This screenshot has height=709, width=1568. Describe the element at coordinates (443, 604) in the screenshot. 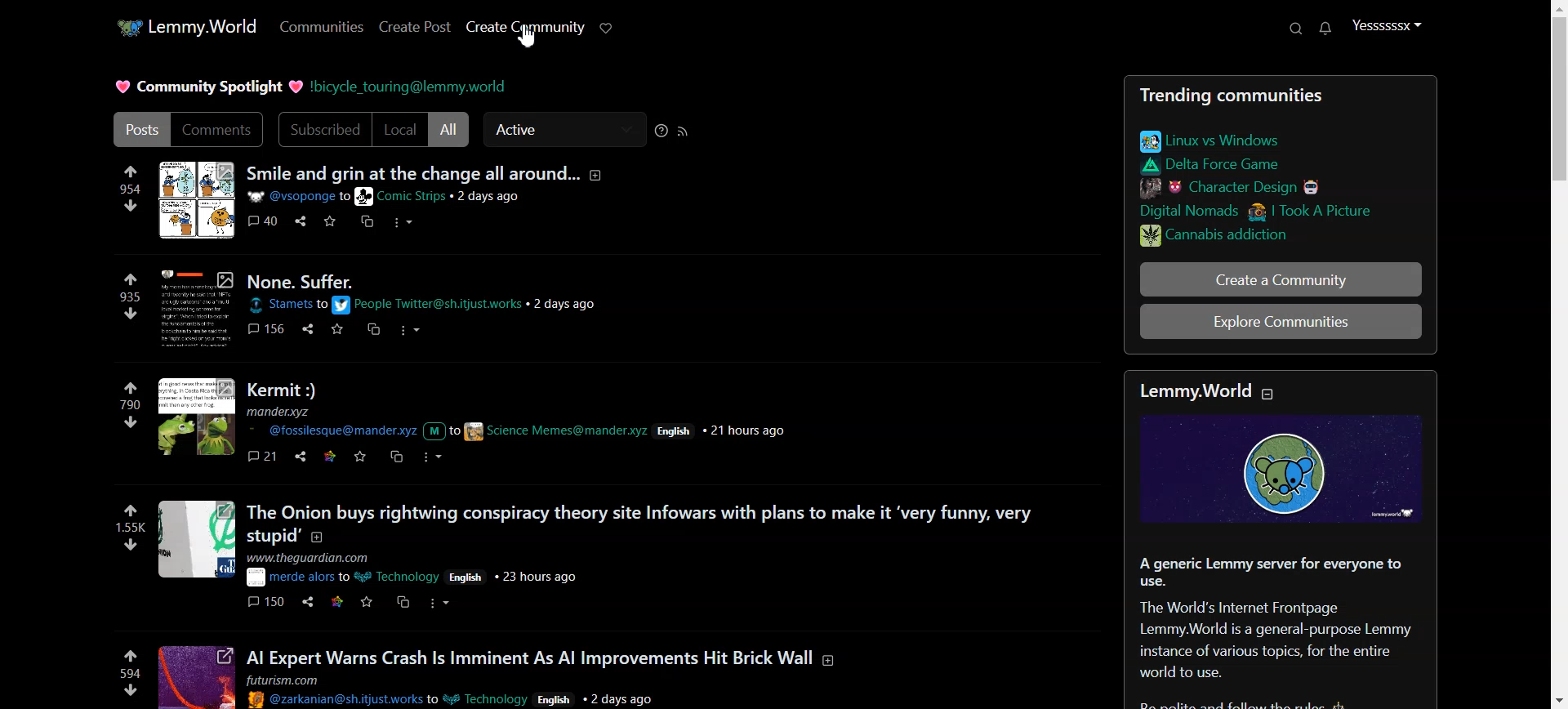

I see `more` at that location.